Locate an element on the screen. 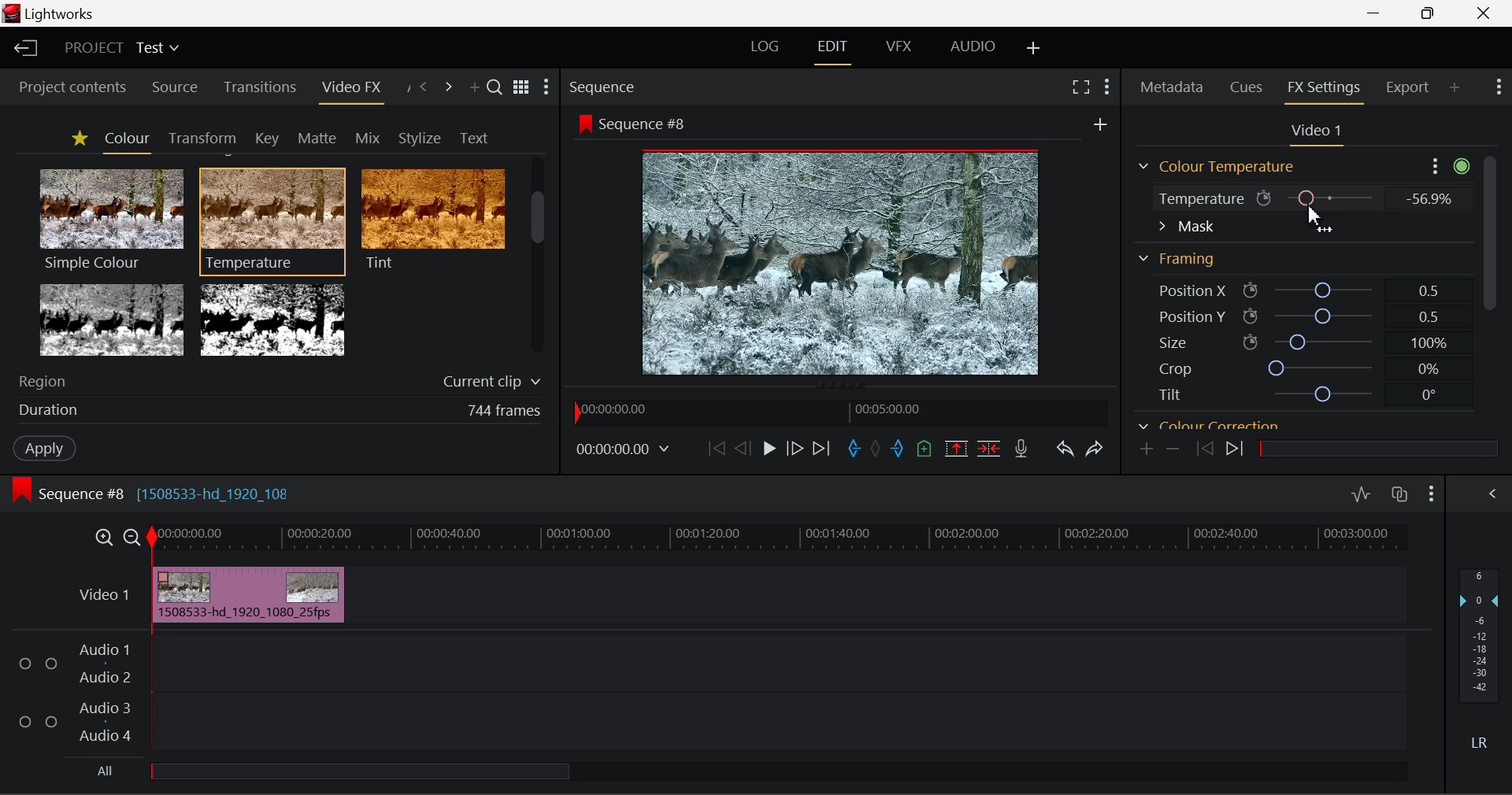 The height and width of the screenshot is (795, 1512). Matte is located at coordinates (317, 138).